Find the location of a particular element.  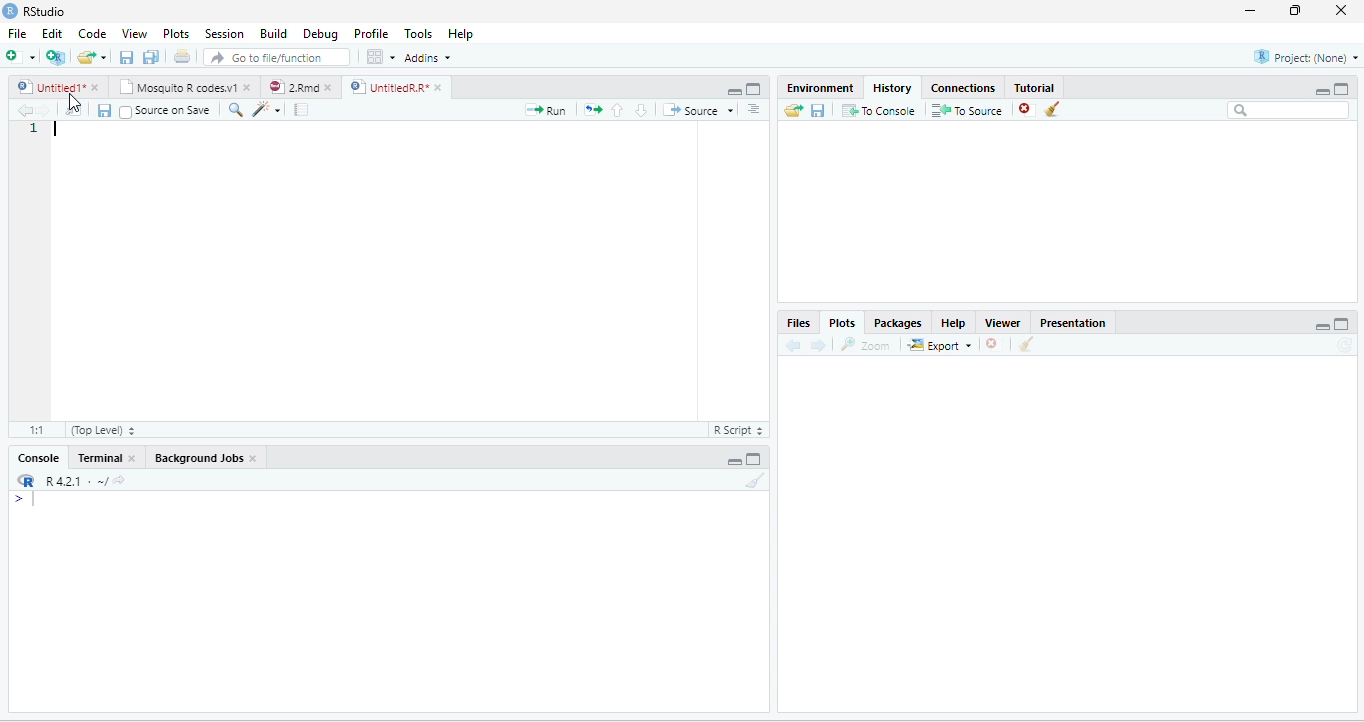

Tools is located at coordinates (419, 33).